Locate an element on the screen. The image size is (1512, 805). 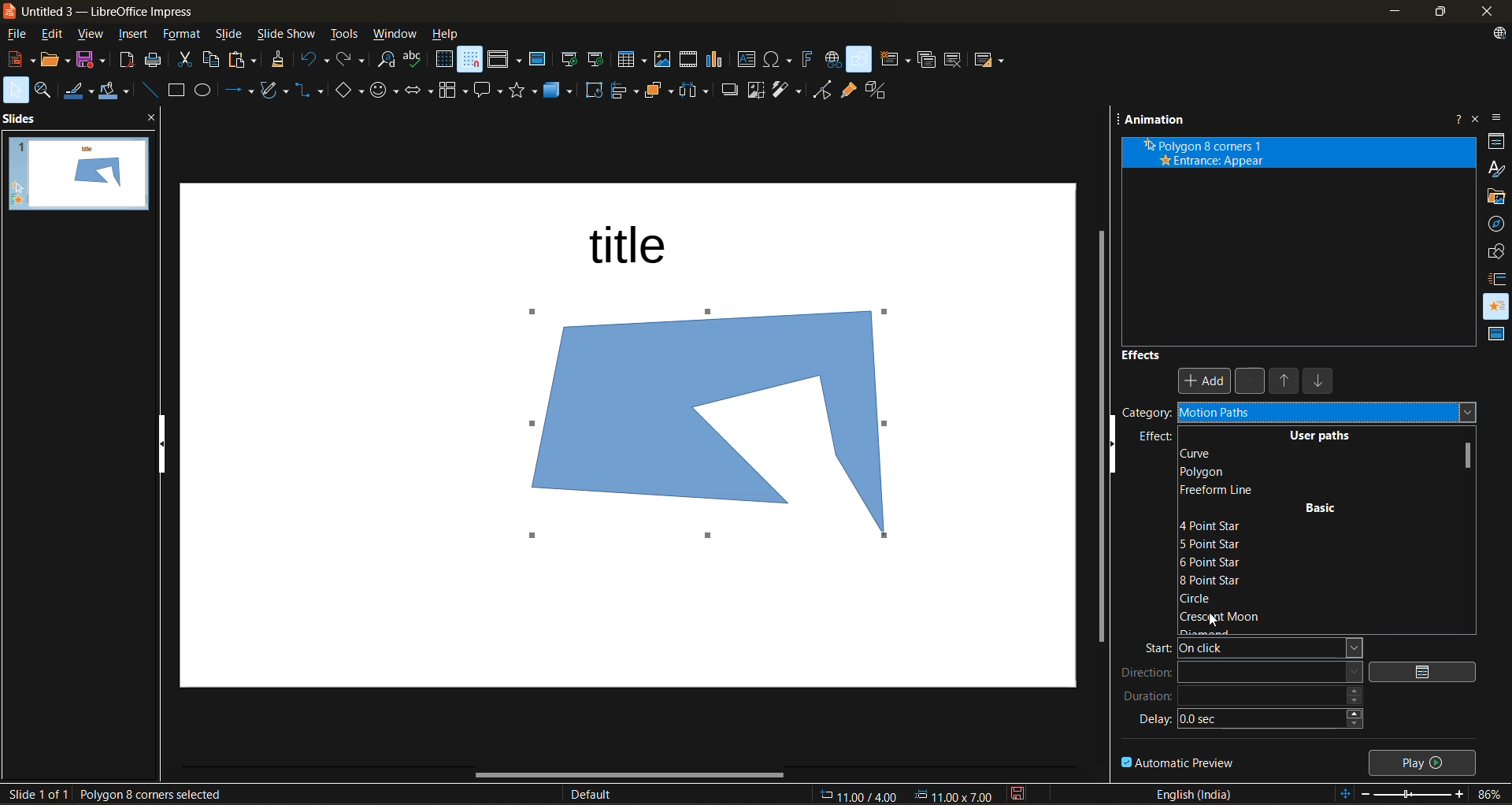
styles is located at coordinates (1495, 169).